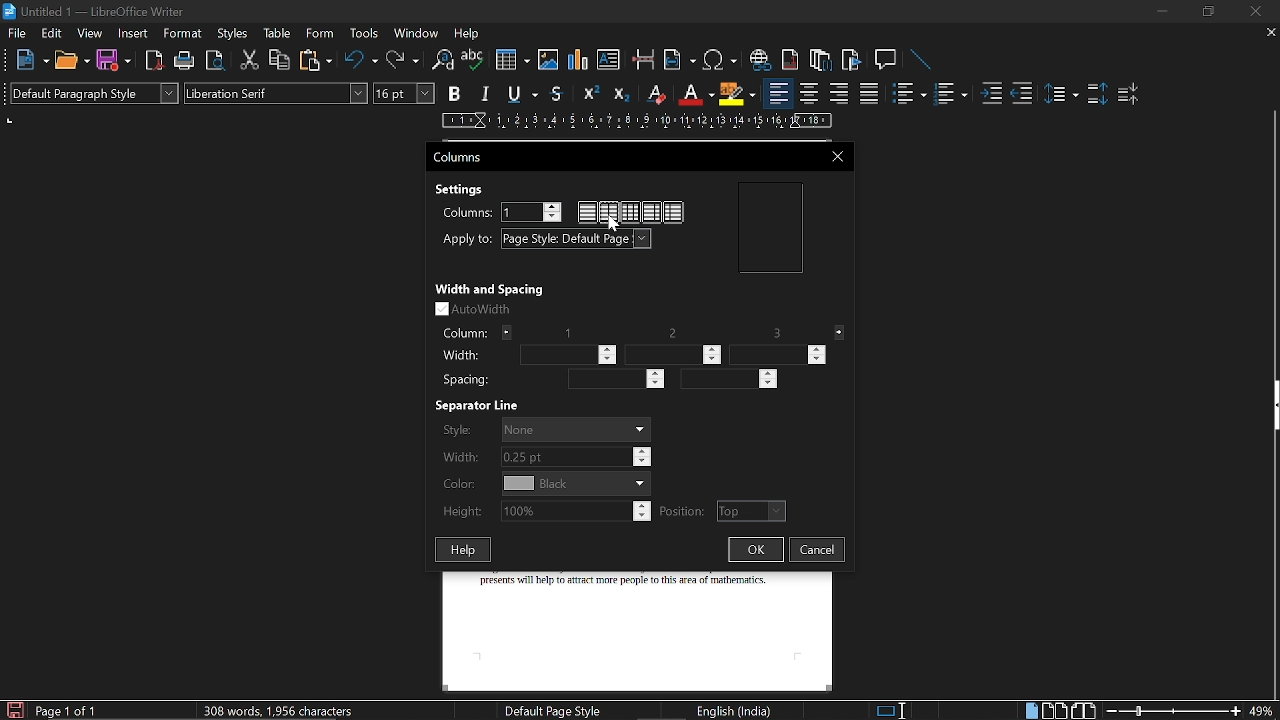 This screenshot has height=720, width=1280. What do you see at coordinates (12, 711) in the screenshot?
I see `Save` at bounding box center [12, 711].